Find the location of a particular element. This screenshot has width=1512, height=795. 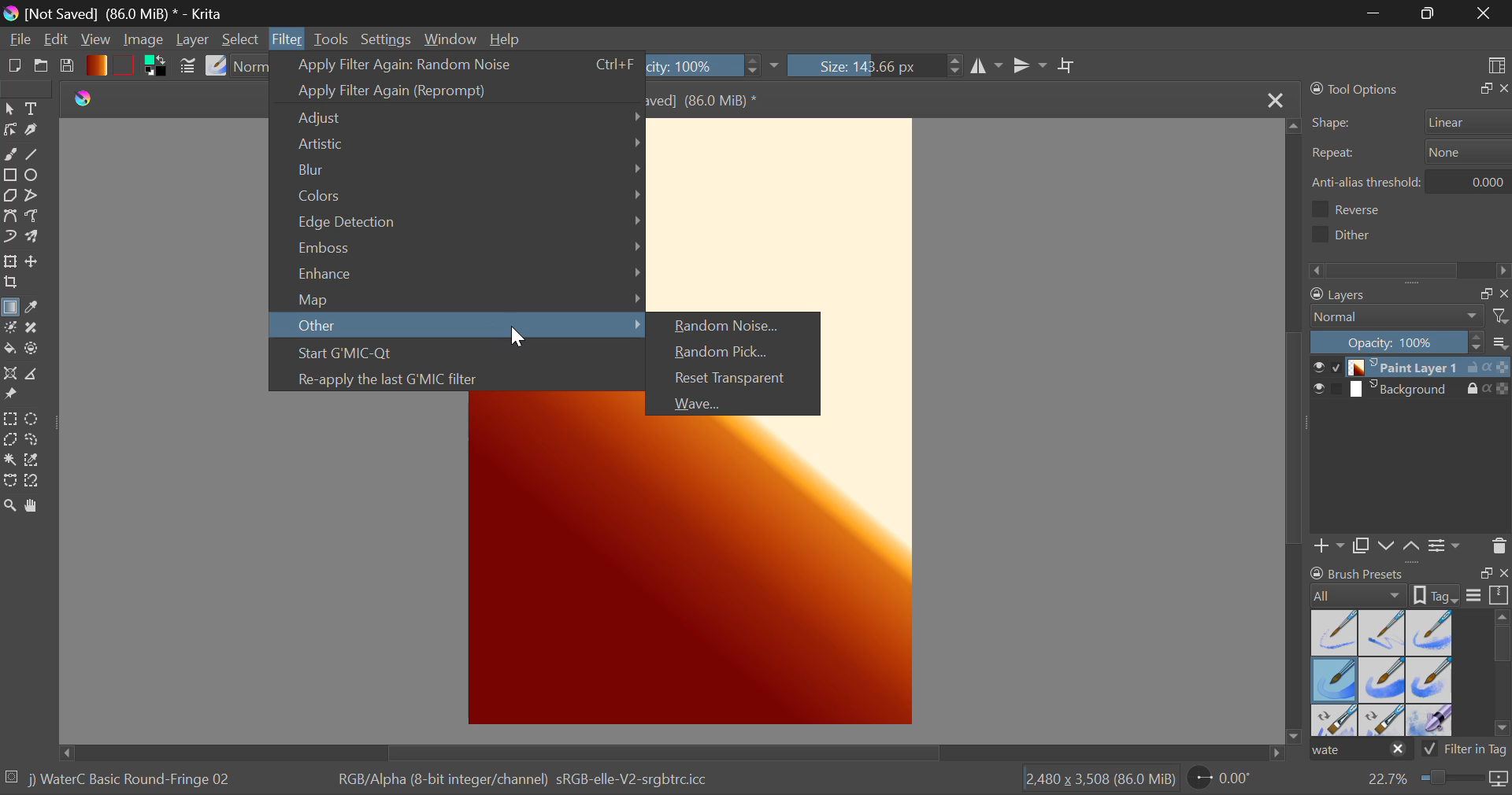

Random Noise is located at coordinates (738, 327).